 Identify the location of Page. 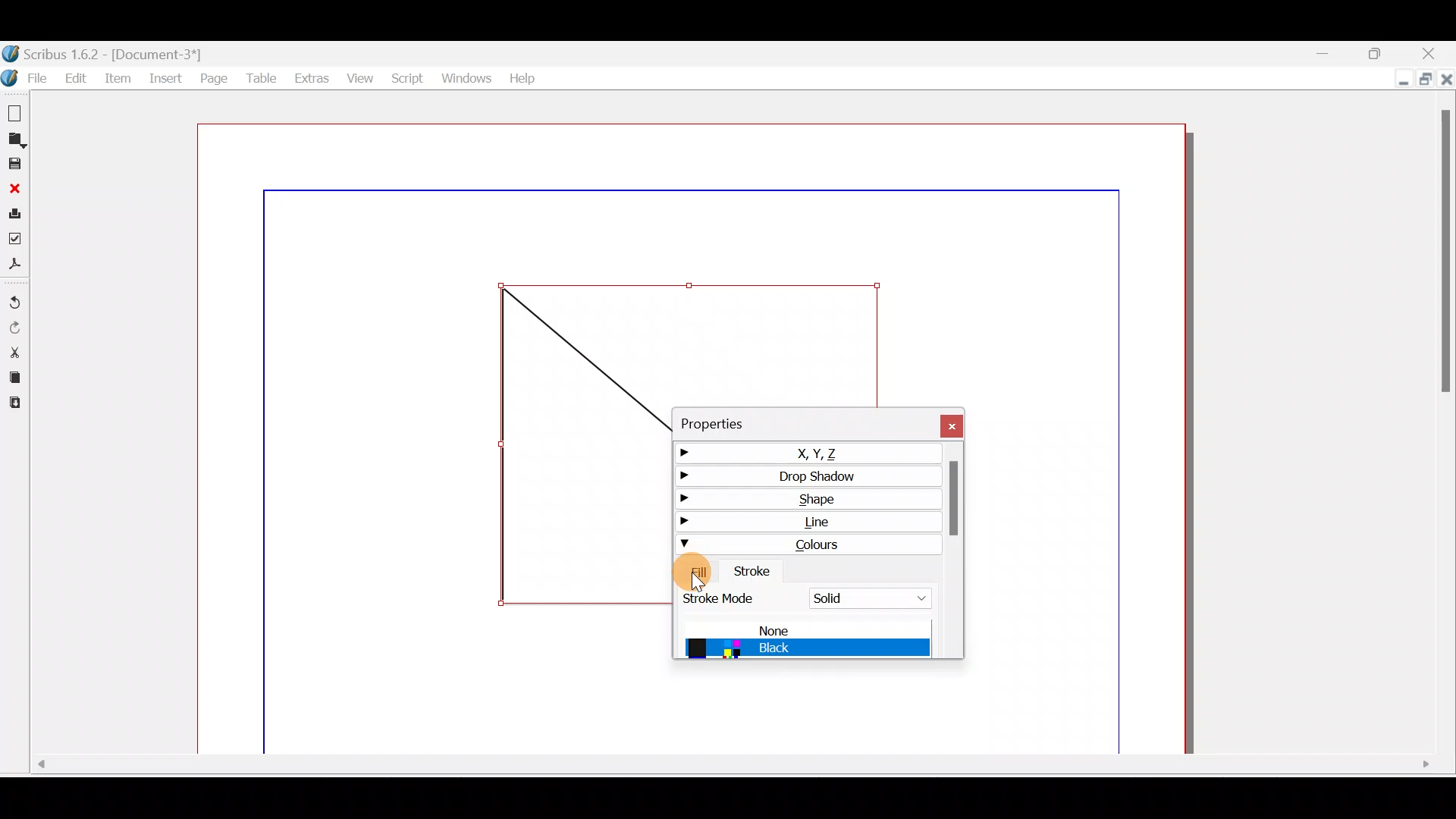
(213, 79).